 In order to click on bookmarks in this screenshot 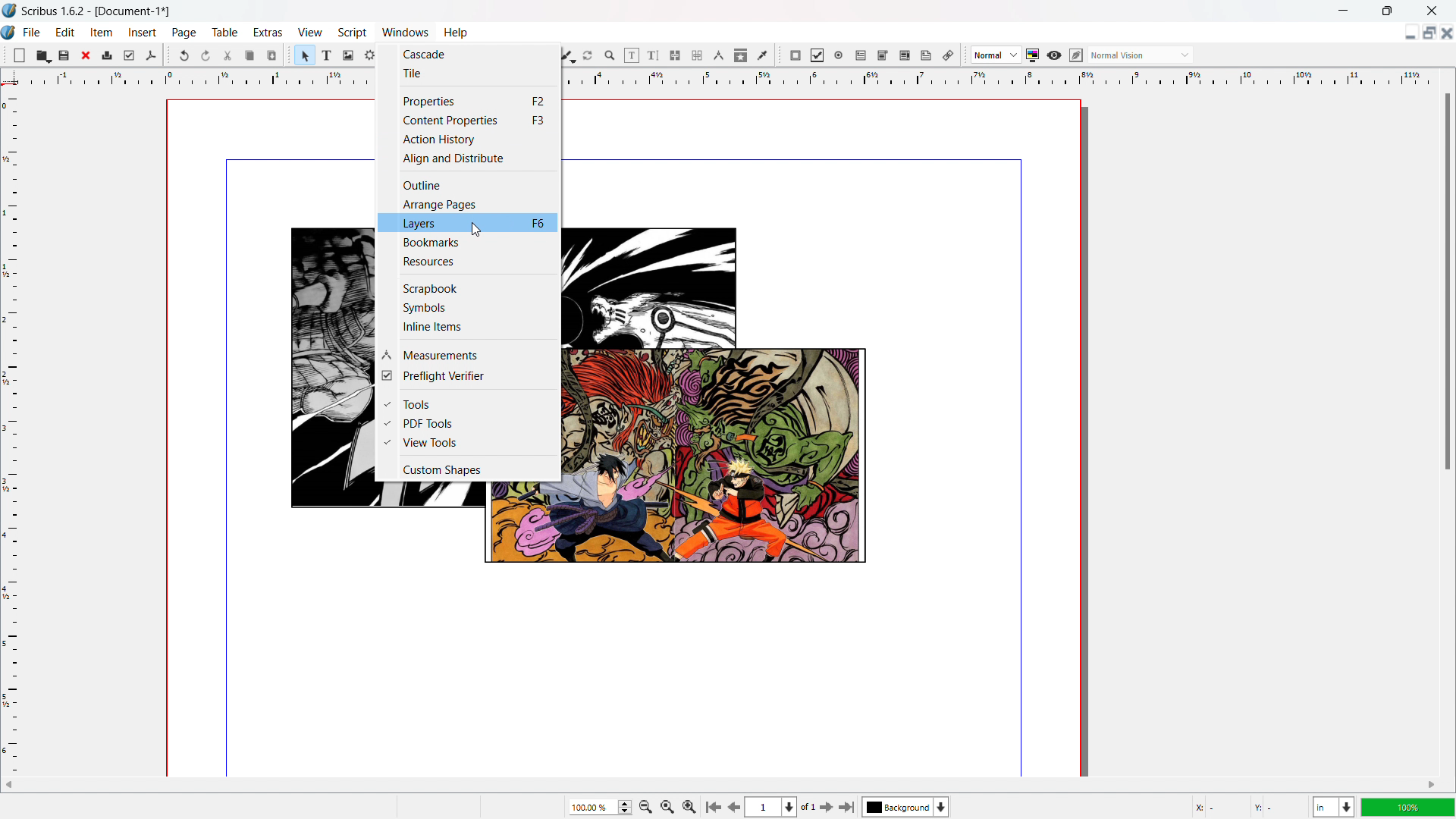, I will do `click(468, 243)`.